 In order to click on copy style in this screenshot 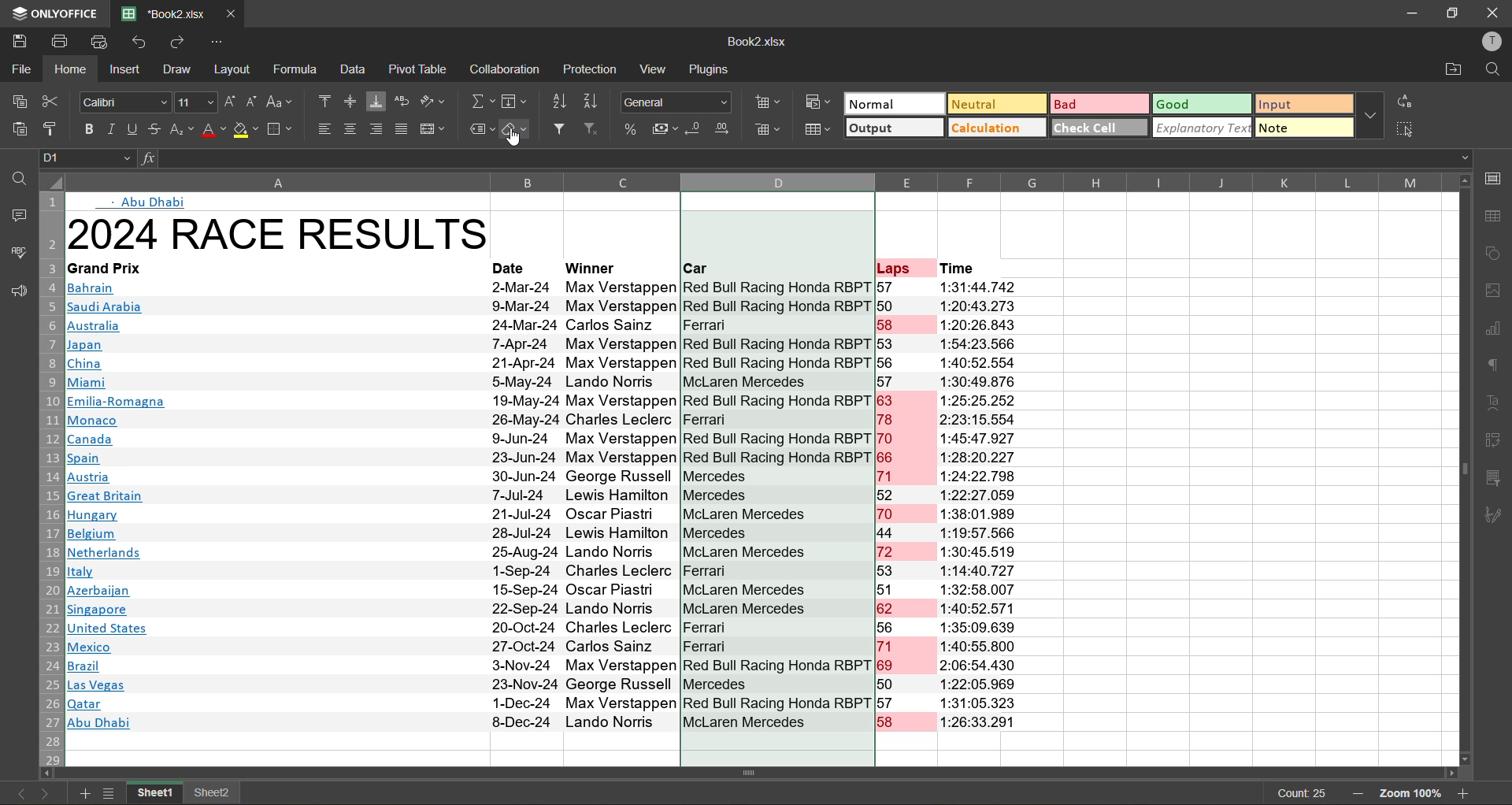, I will do `click(53, 126)`.